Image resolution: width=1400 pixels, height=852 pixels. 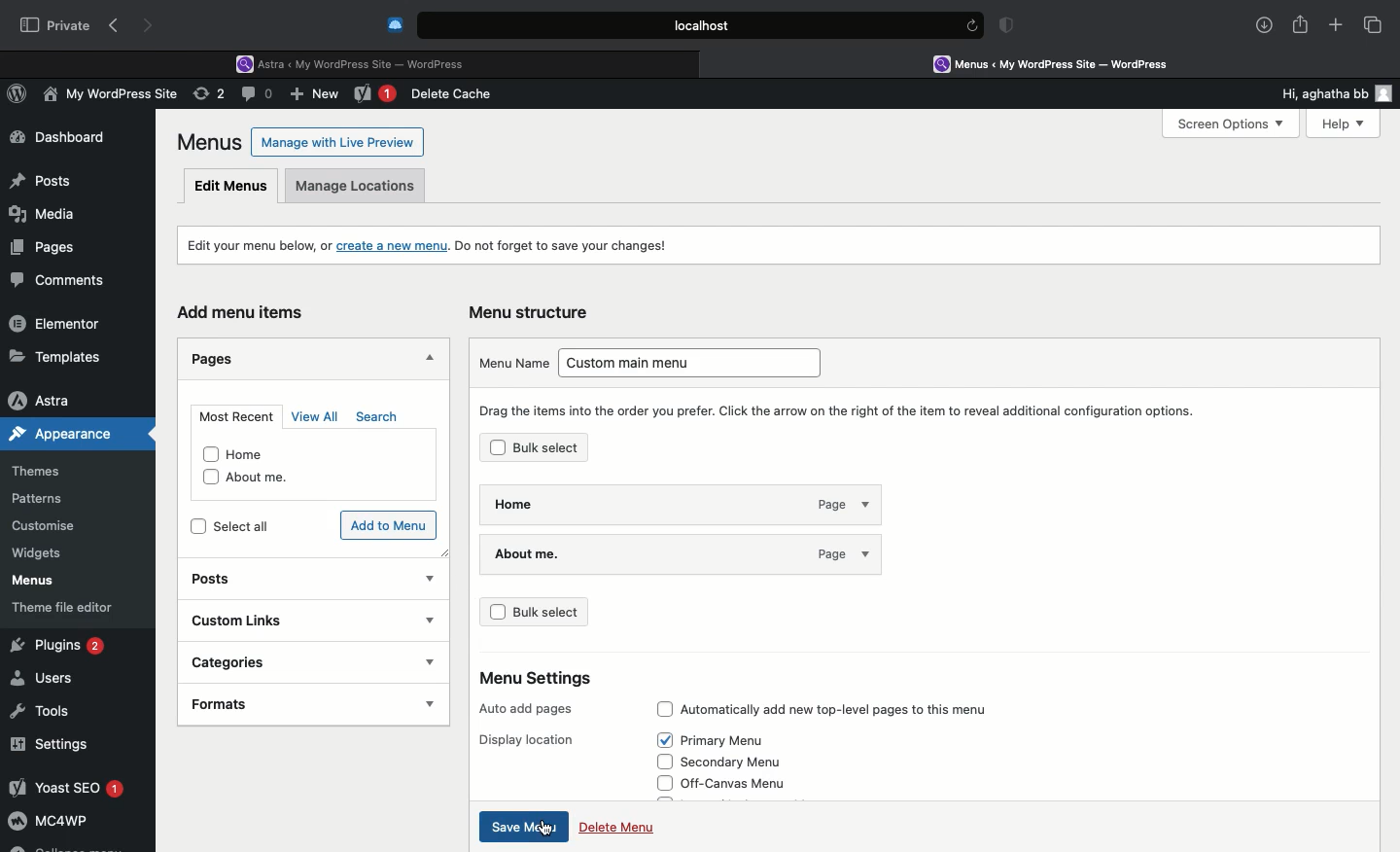 What do you see at coordinates (286, 621) in the screenshot?
I see `Custom links` at bounding box center [286, 621].